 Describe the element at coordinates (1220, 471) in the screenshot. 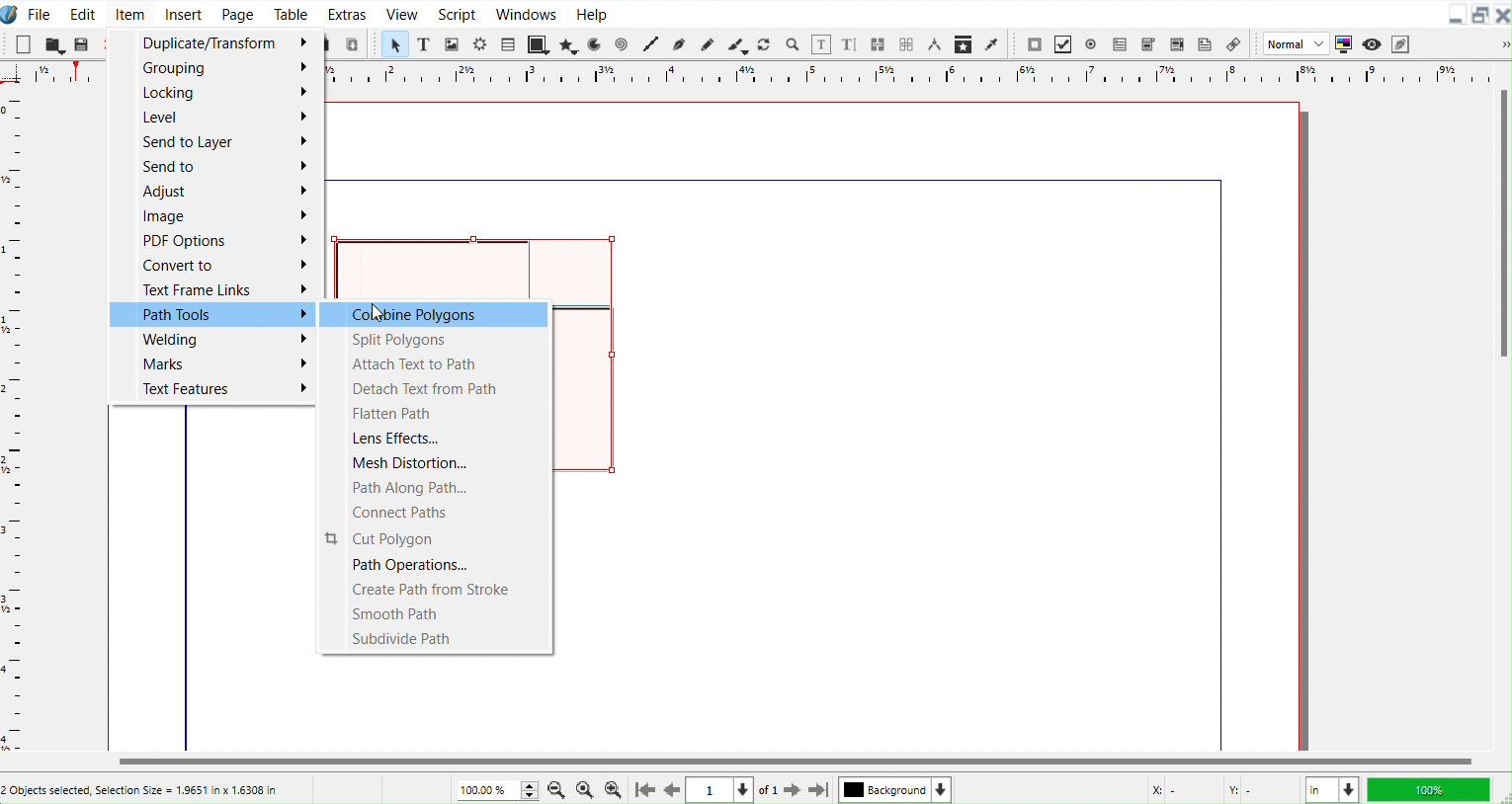

I see `line` at that location.